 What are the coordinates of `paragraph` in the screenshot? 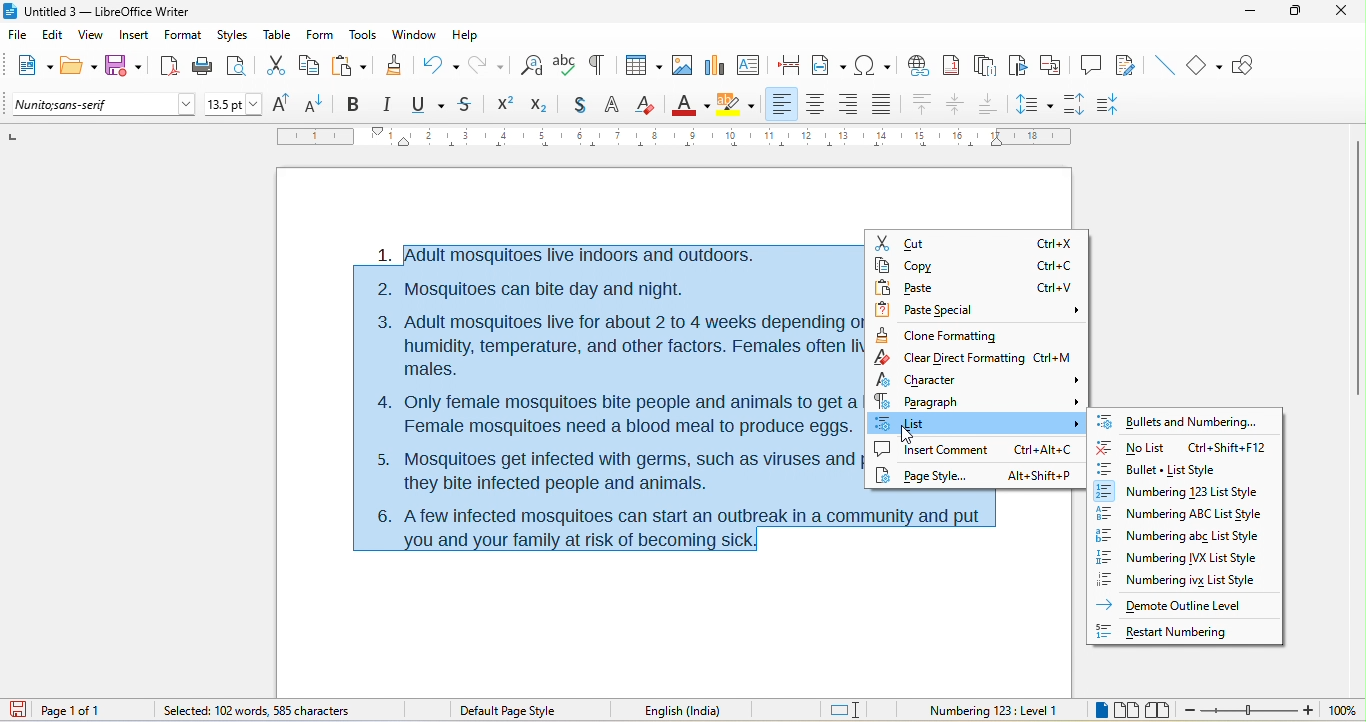 It's located at (978, 401).